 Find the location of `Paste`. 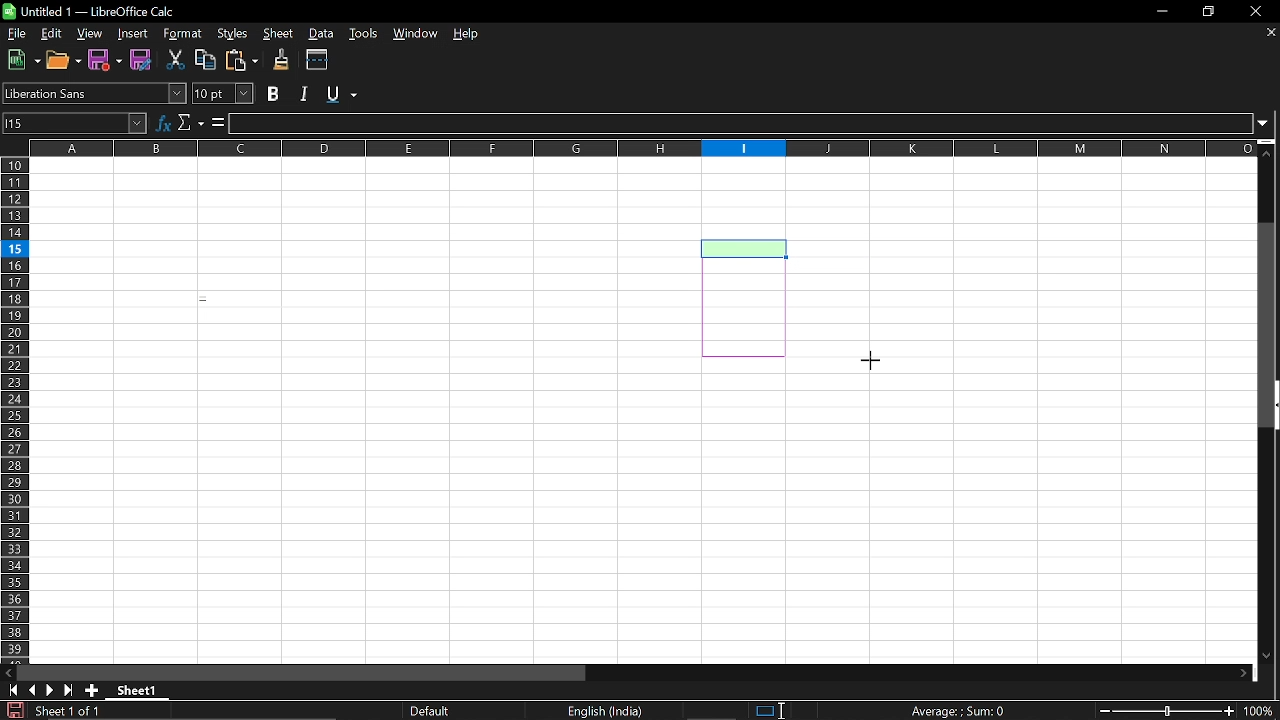

Paste is located at coordinates (243, 60).